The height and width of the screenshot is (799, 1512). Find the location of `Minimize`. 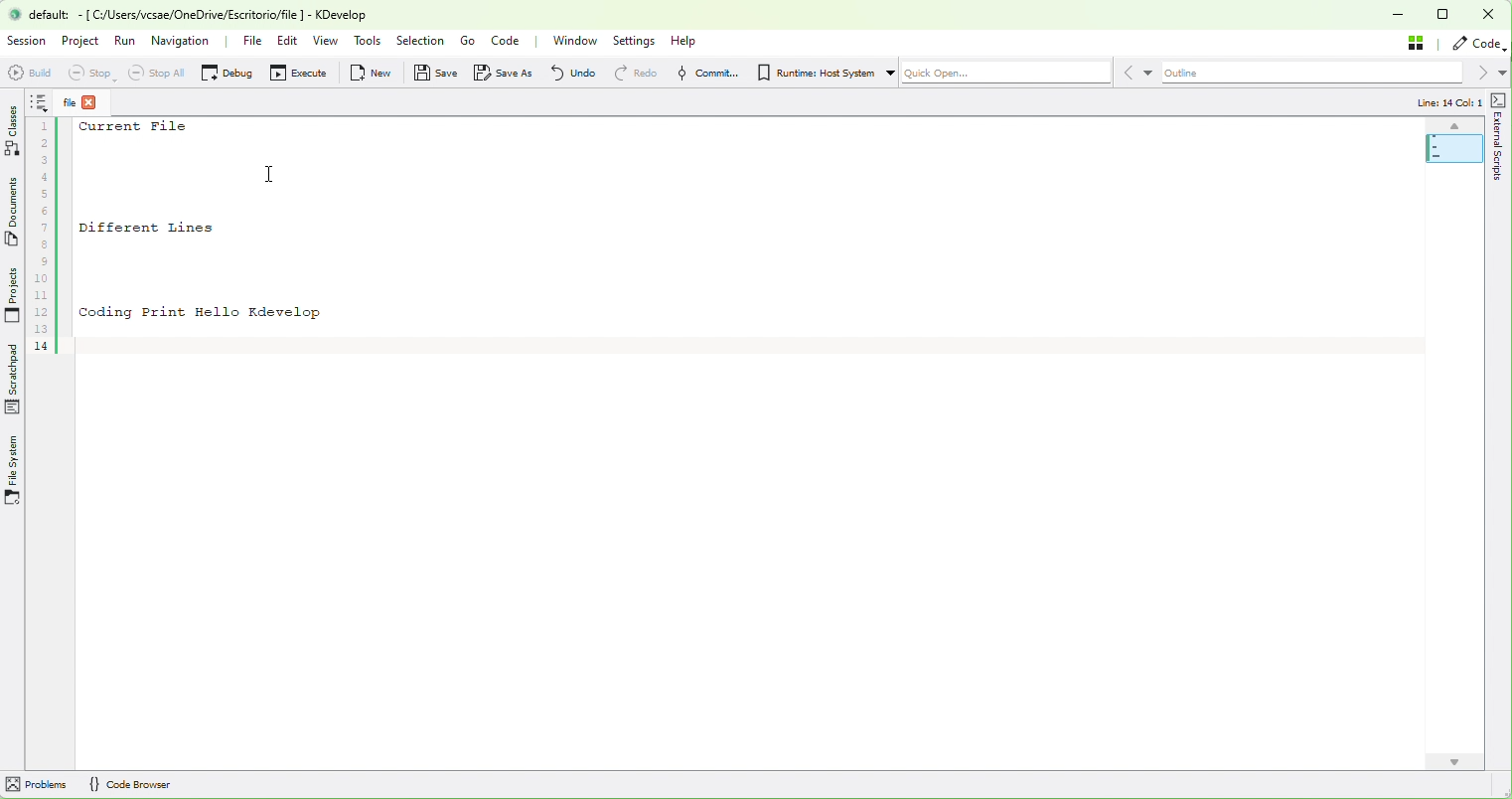

Minimize is located at coordinates (1400, 14).